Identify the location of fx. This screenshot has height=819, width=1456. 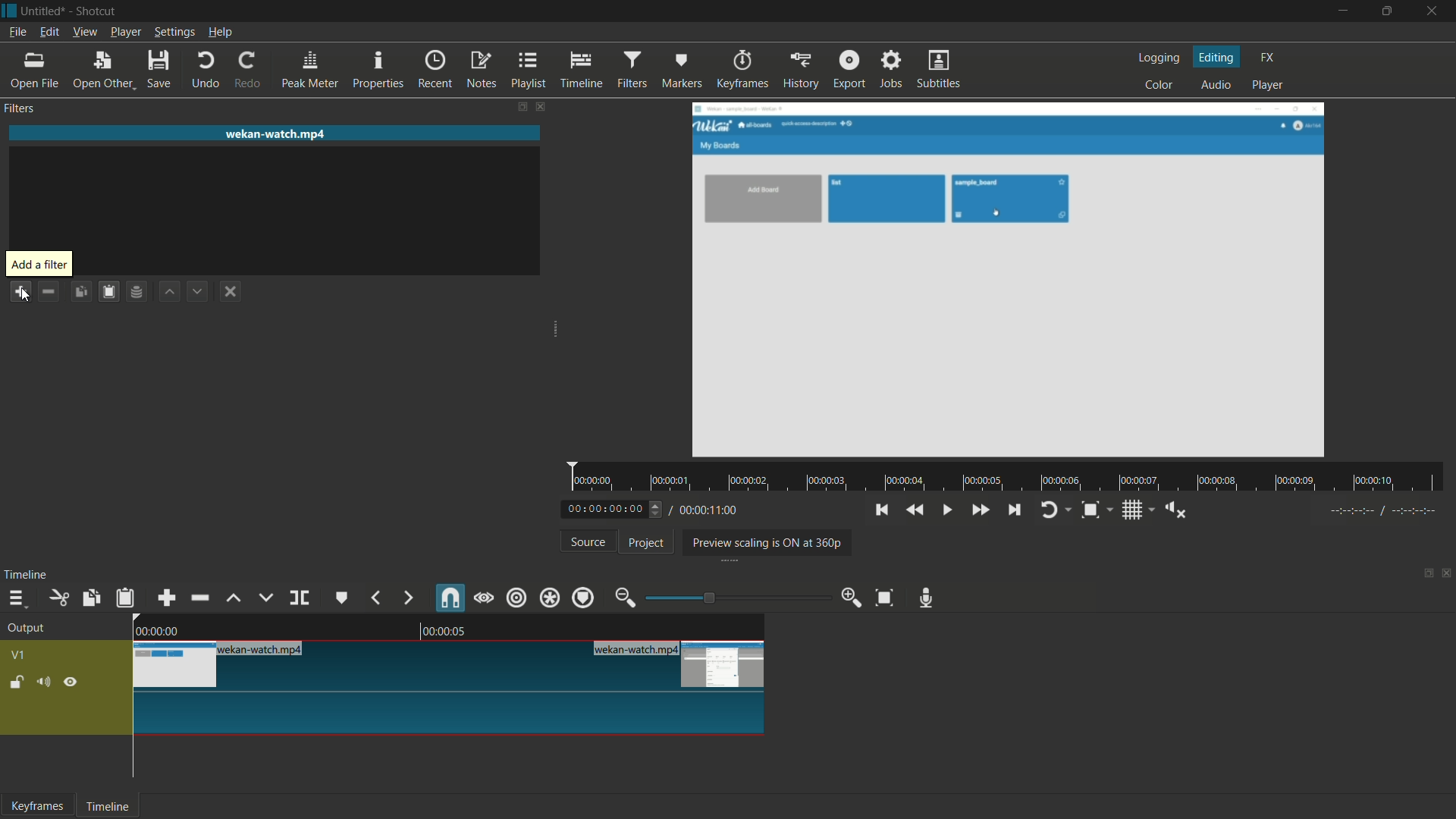
(1268, 58).